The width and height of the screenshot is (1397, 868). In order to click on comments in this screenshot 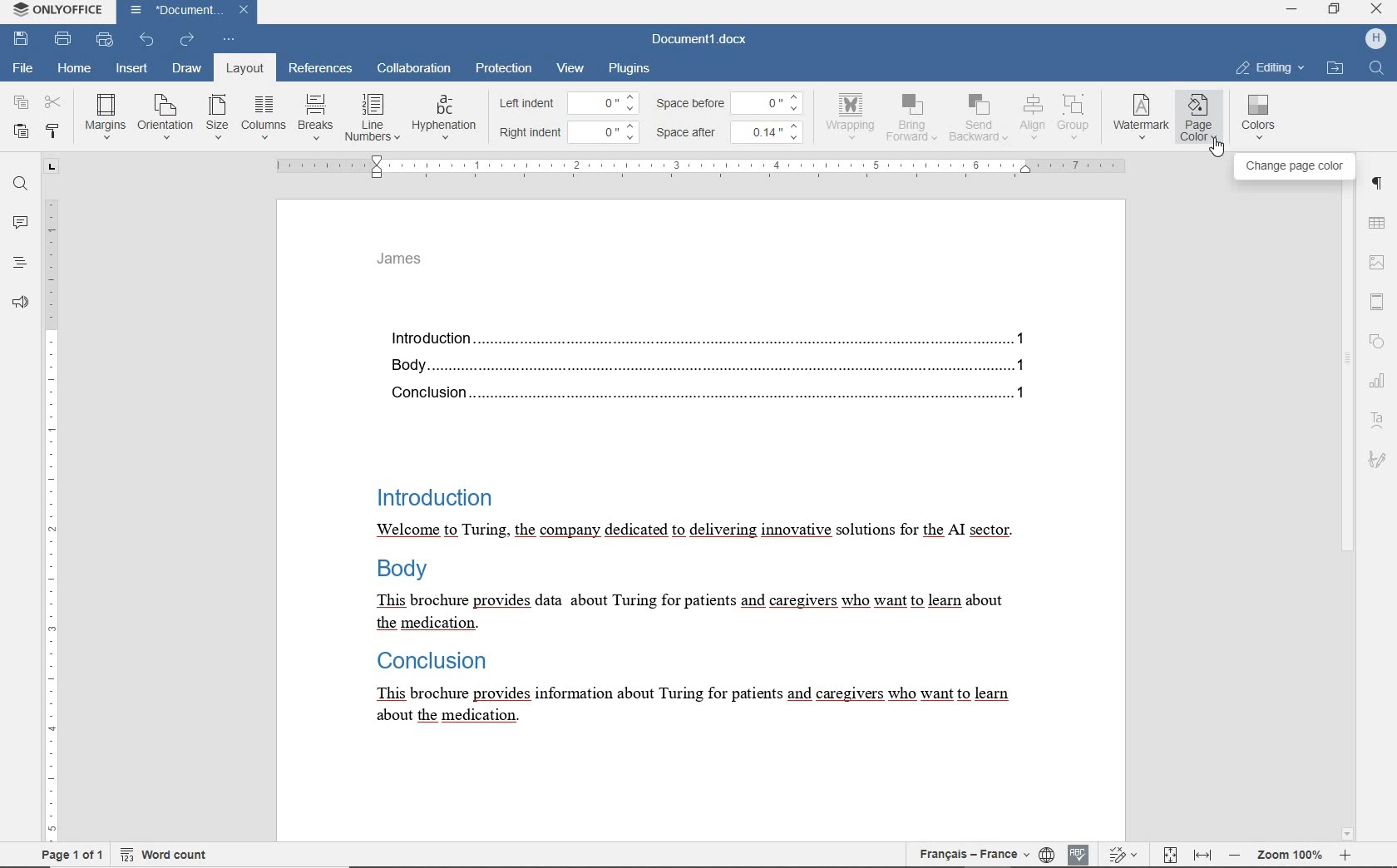, I will do `click(20, 223)`.